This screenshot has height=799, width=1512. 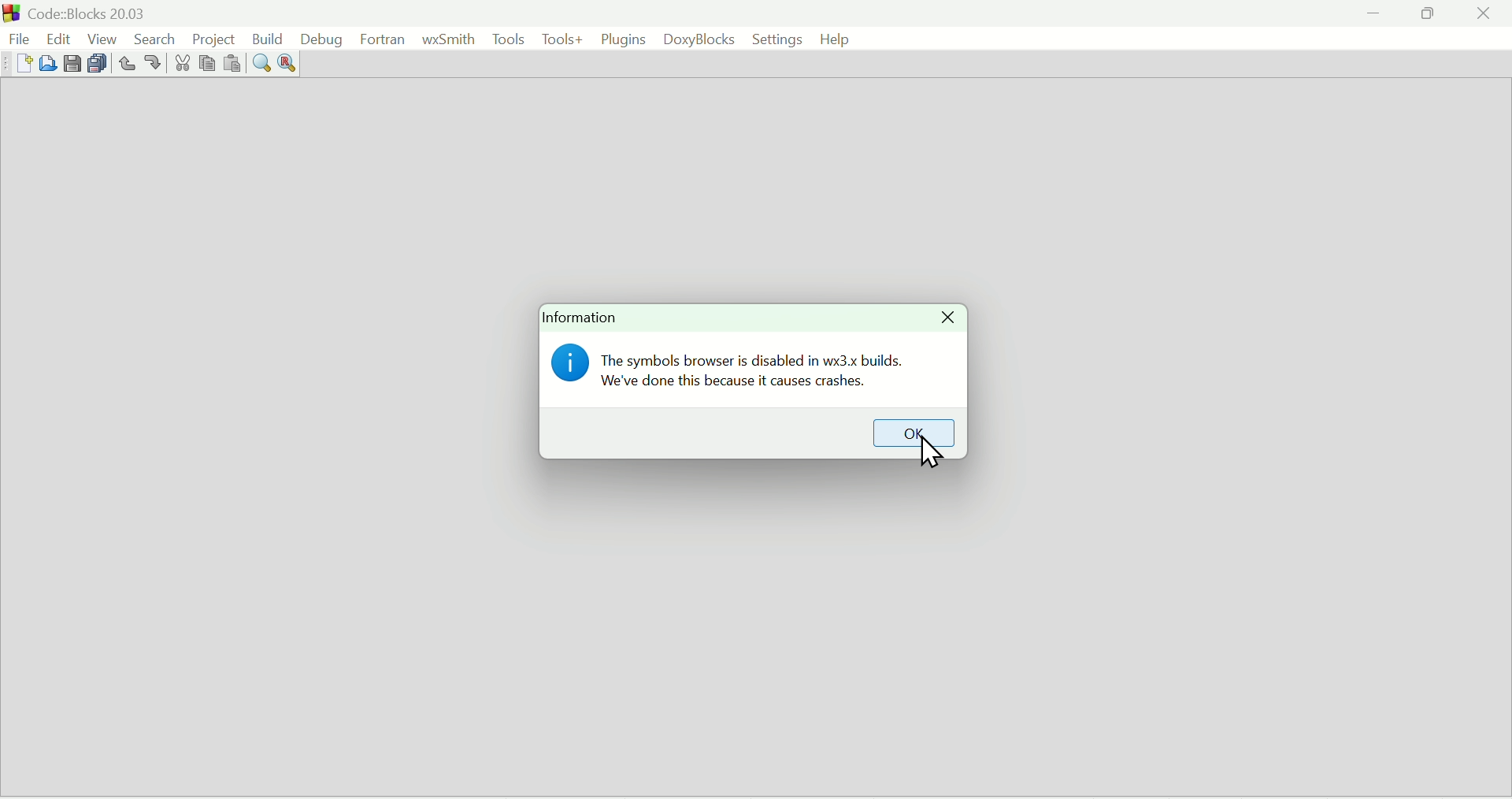 I want to click on View, so click(x=99, y=36).